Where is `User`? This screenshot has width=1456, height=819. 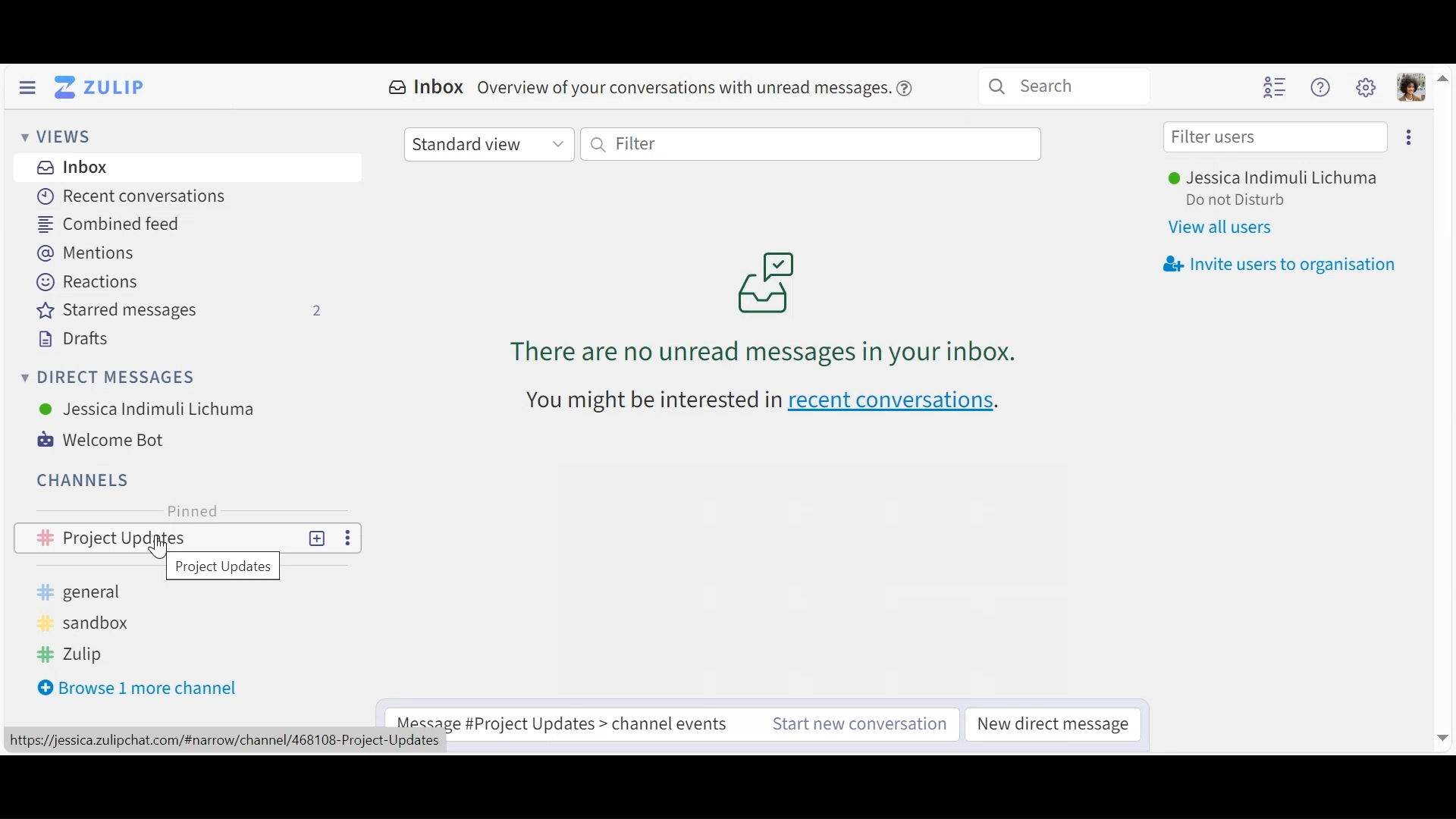
User is located at coordinates (149, 409).